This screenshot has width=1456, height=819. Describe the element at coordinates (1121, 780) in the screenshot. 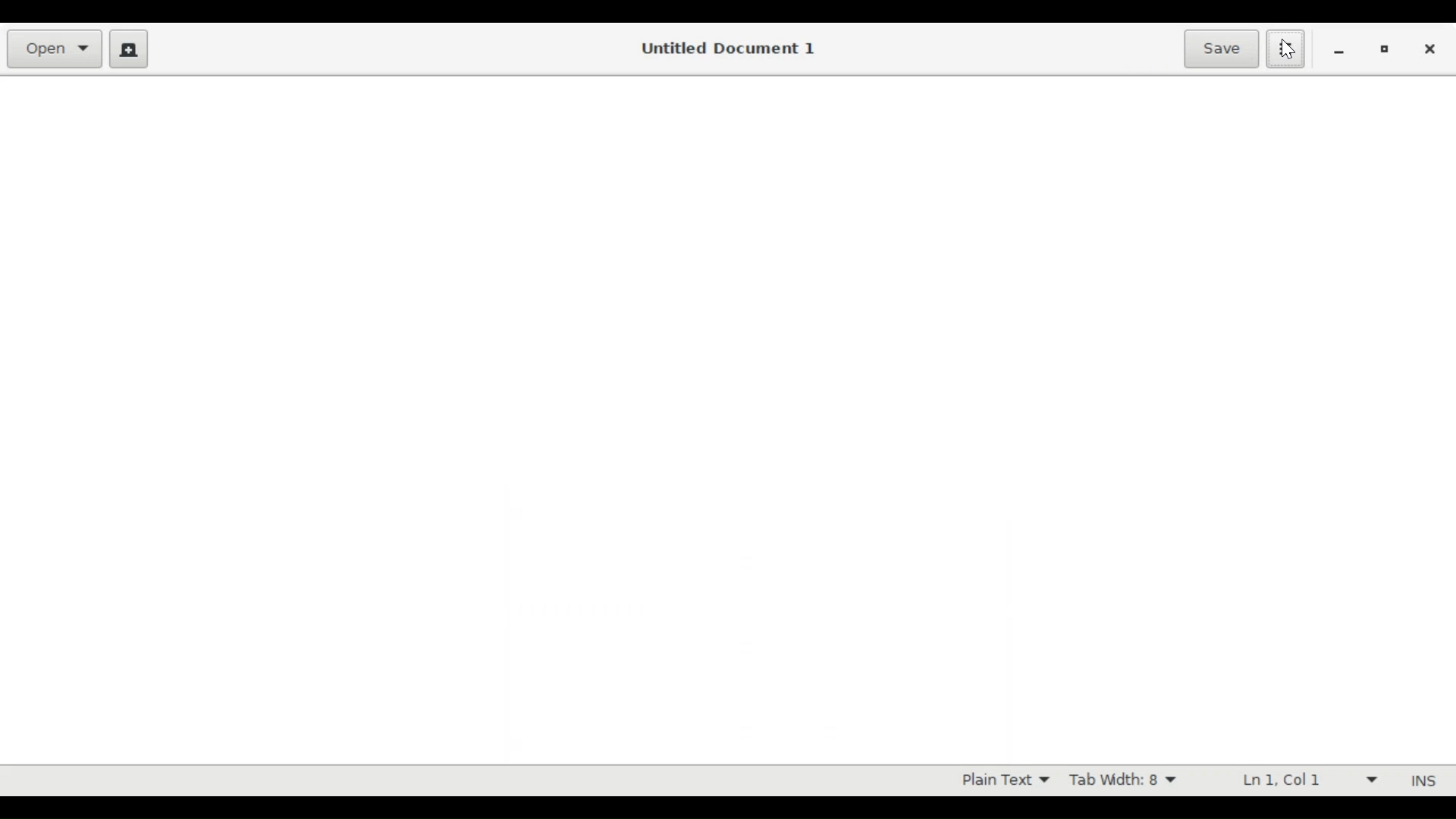

I see `Tab Width` at that location.